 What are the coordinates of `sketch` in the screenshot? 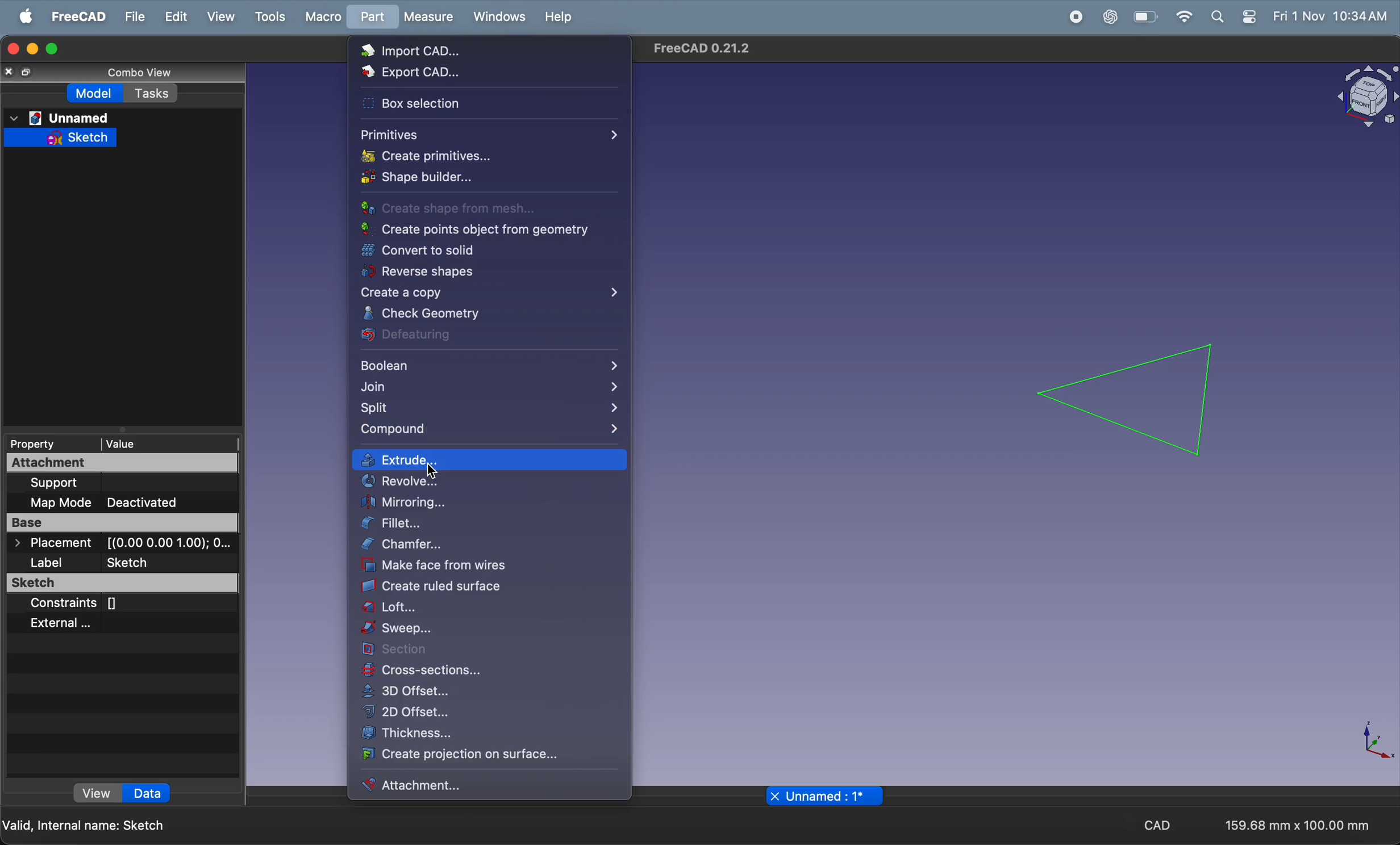 It's located at (123, 584).